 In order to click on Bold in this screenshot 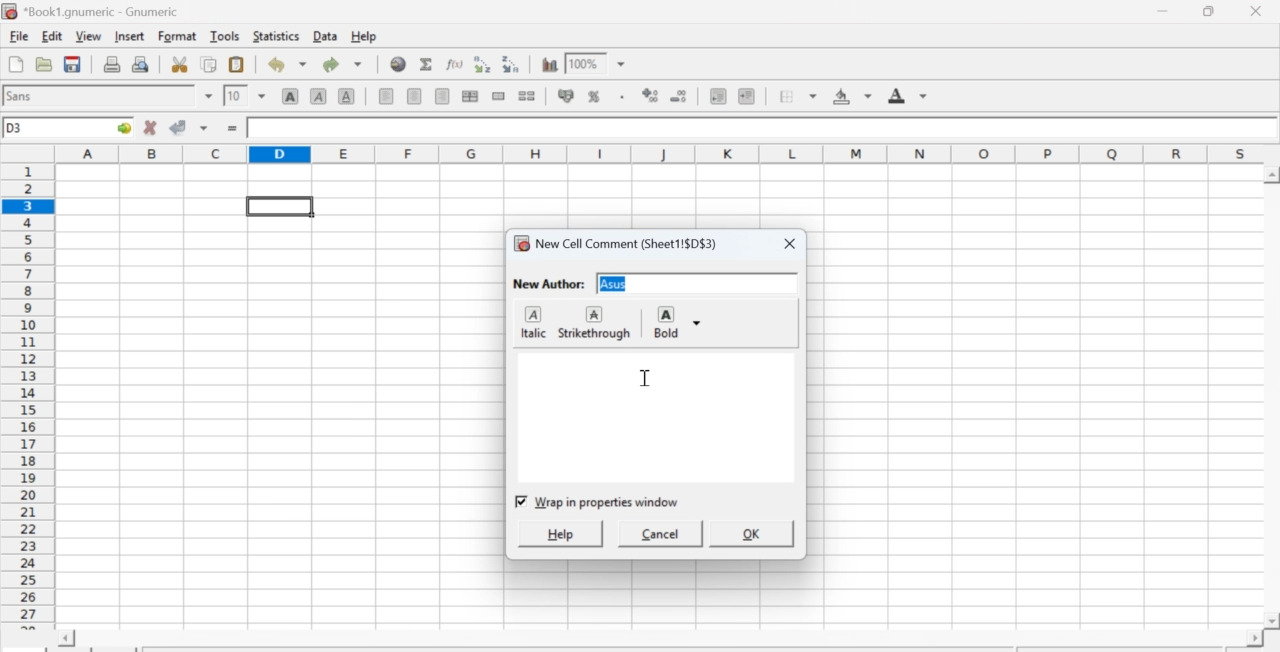, I will do `click(683, 321)`.